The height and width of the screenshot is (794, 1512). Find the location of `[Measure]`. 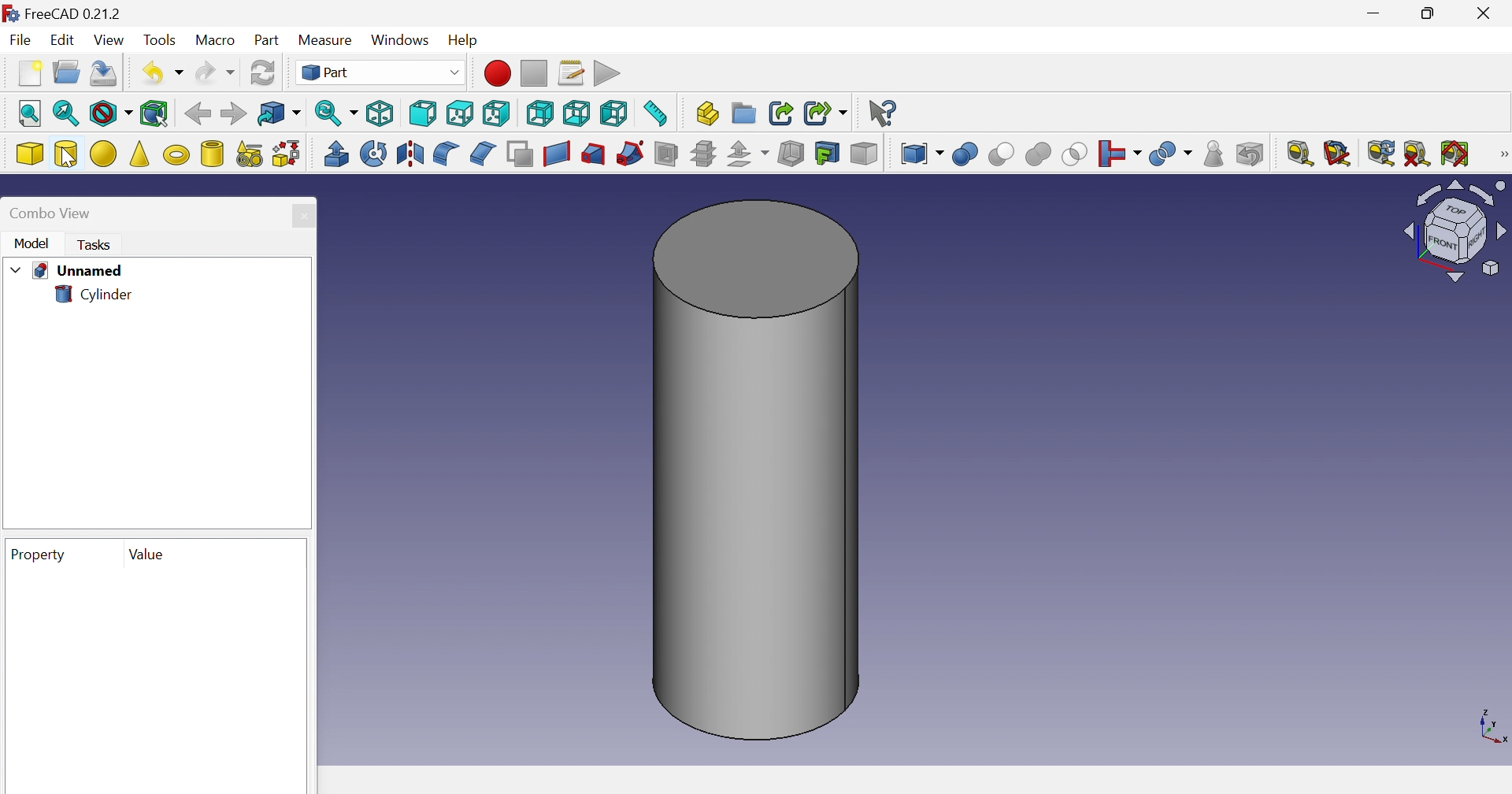

[Measure] is located at coordinates (1503, 155).